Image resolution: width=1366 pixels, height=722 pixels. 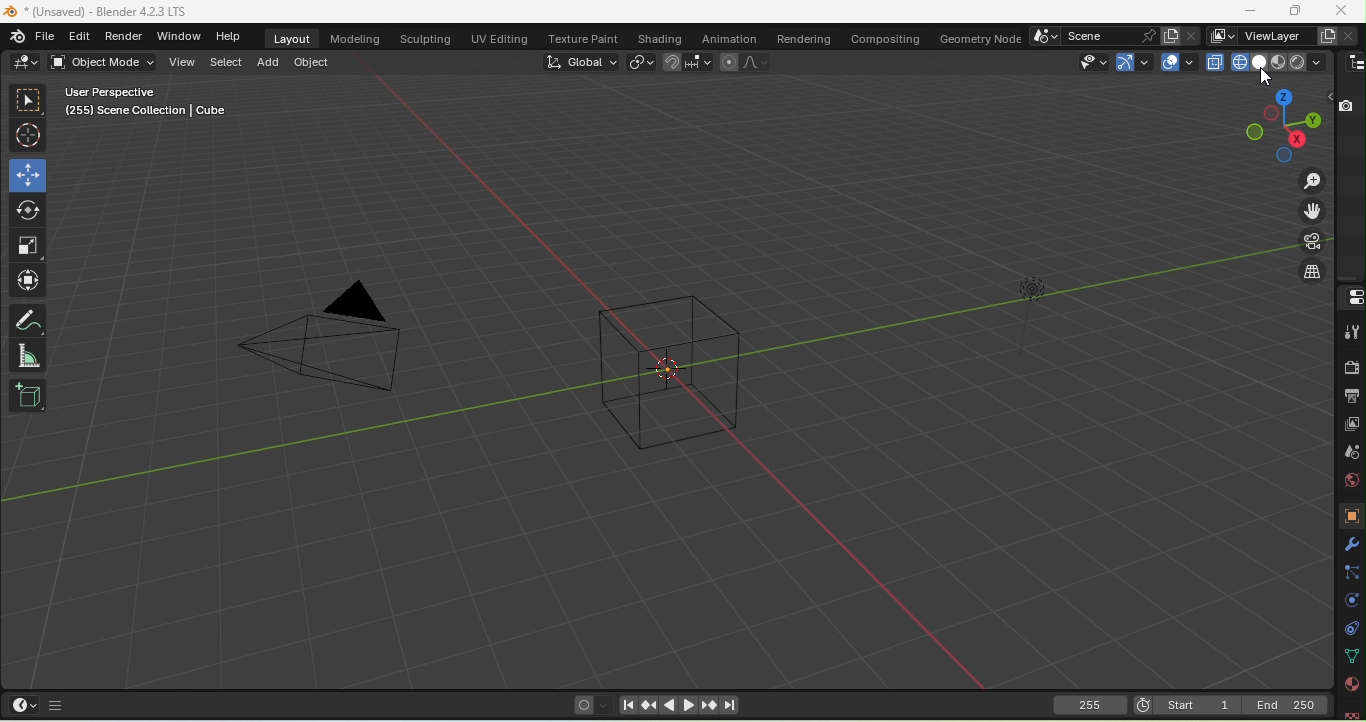 What do you see at coordinates (105, 62) in the screenshot?
I see `Sets the object interaction mode` at bounding box center [105, 62].